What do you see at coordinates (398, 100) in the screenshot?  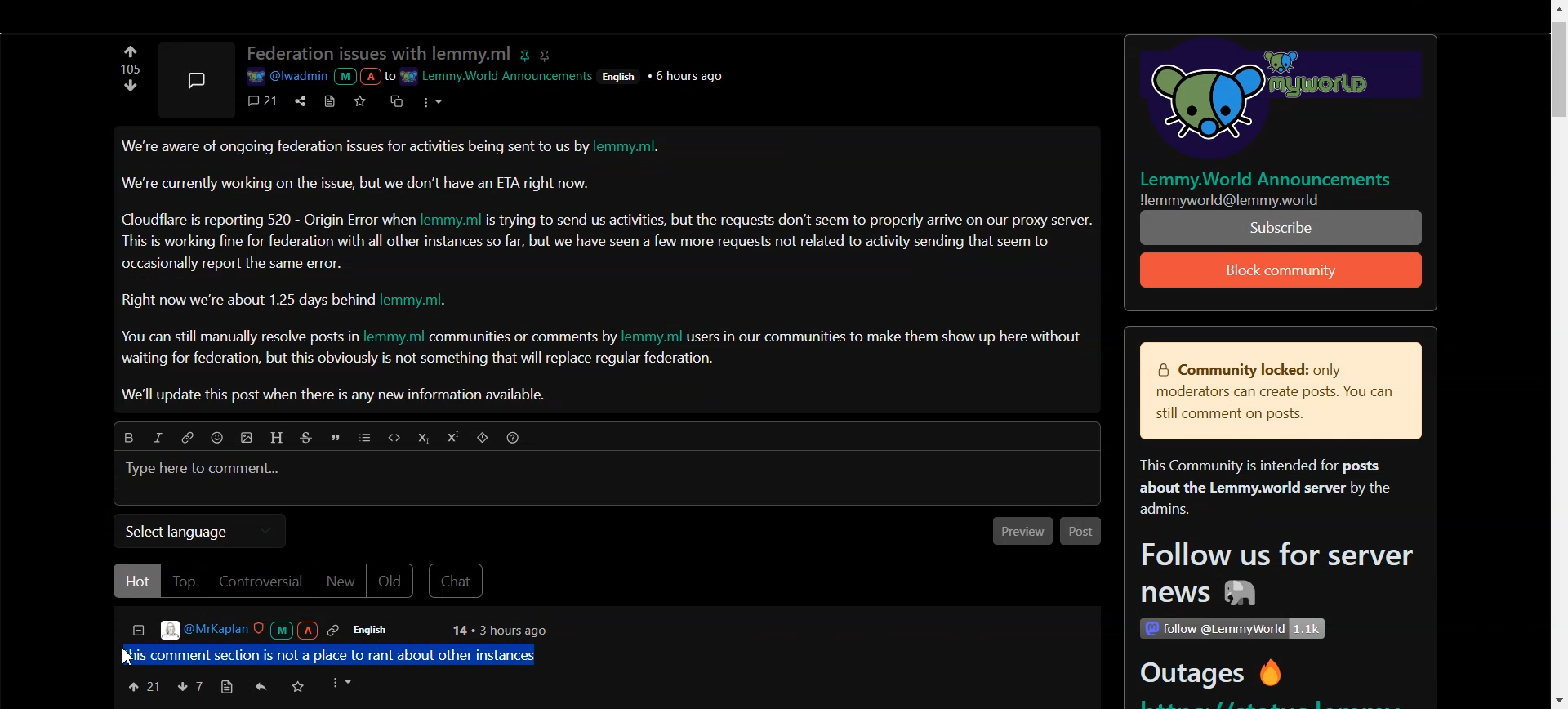 I see `cross posts` at bounding box center [398, 100].